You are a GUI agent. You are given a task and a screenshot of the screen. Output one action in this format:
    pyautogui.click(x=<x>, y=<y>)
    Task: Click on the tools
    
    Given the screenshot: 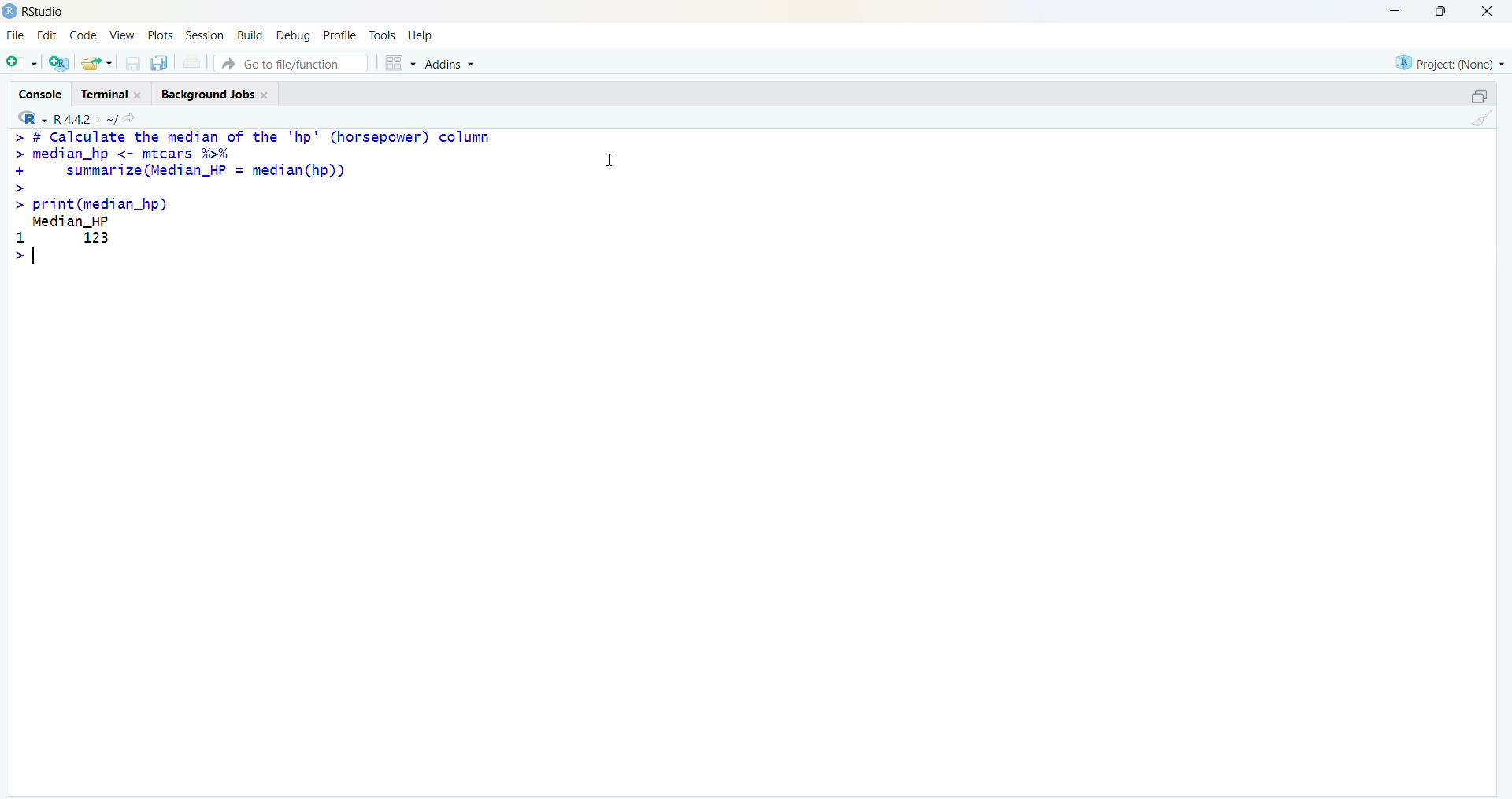 What is the action you would take?
    pyautogui.click(x=384, y=36)
    